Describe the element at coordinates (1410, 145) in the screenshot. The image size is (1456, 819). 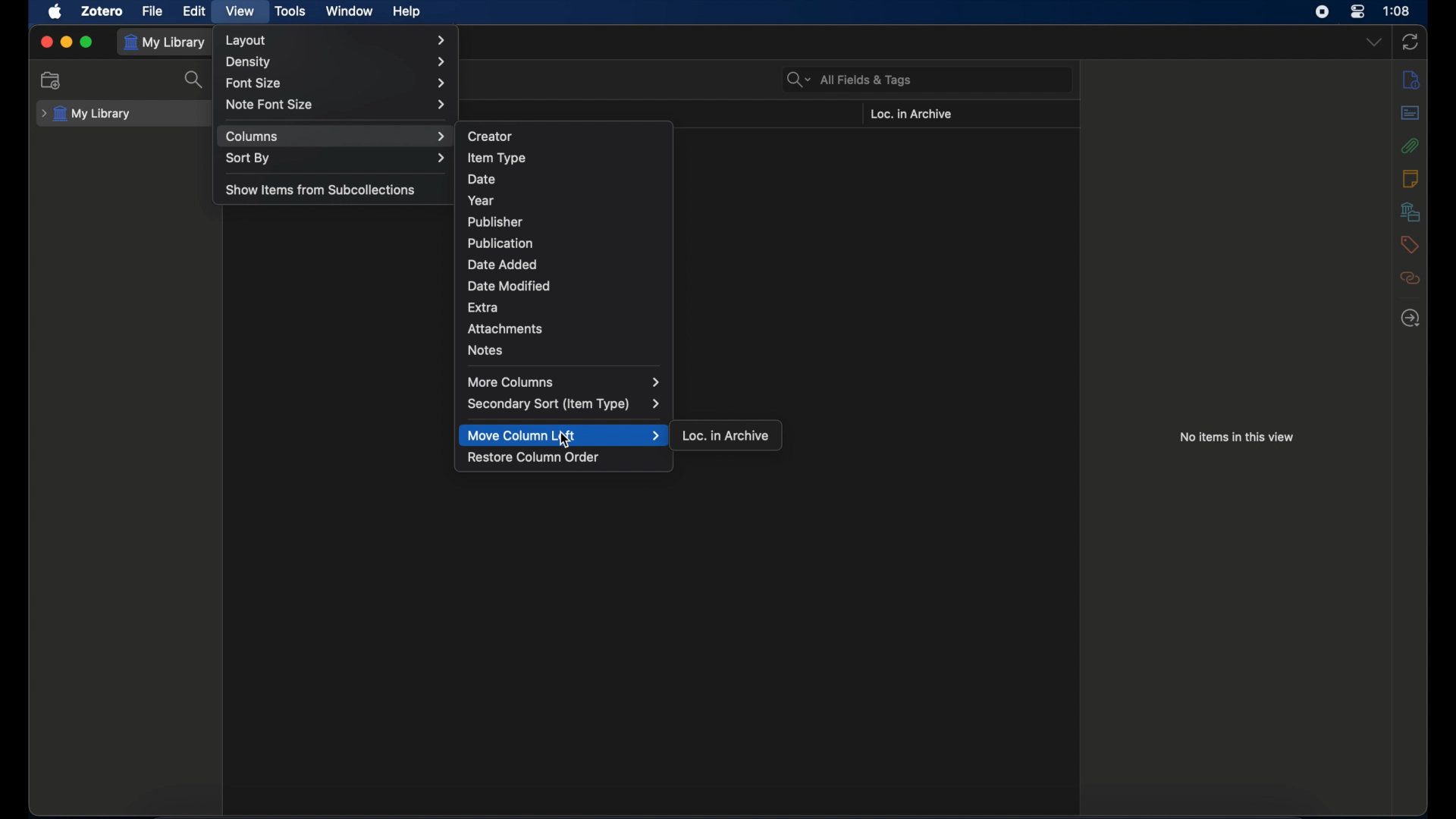
I see `attachments` at that location.